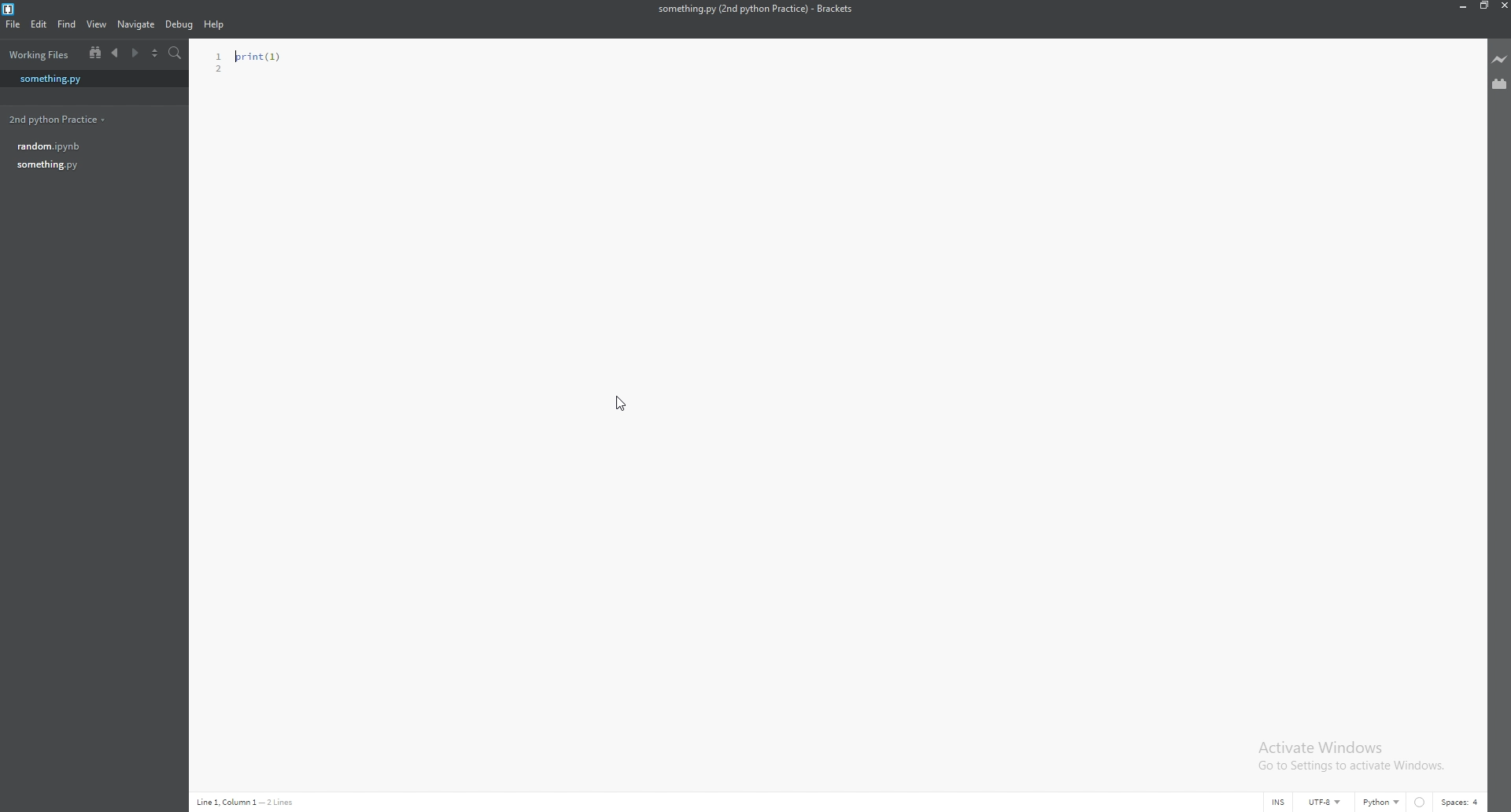 The width and height of the screenshot is (1511, 812). What do you see at coordinates (157, 52) in the screenshot?
I see `split editor` at bounding box center [157, 52].